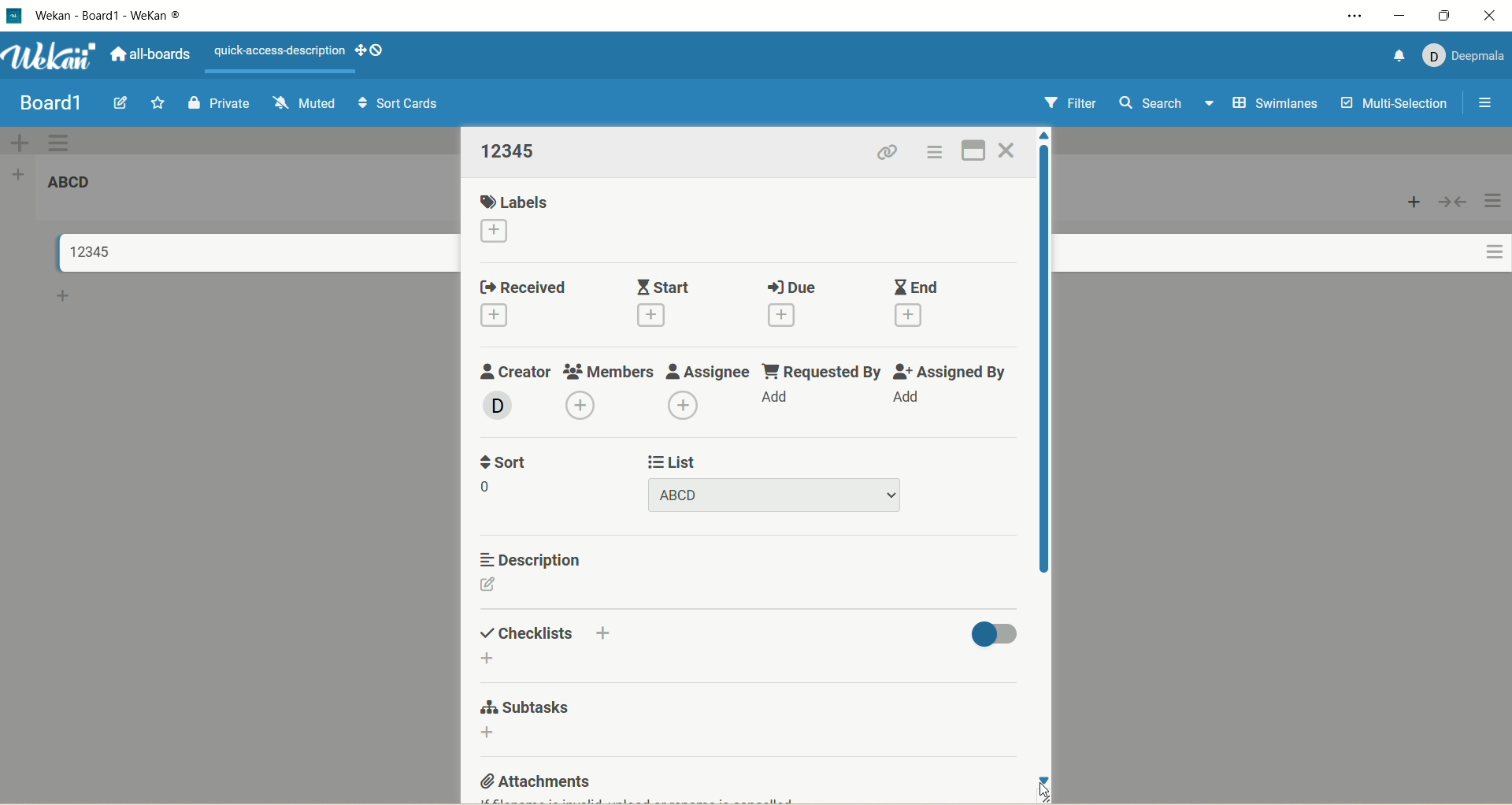  I want to click on edit, so click(120, 103).